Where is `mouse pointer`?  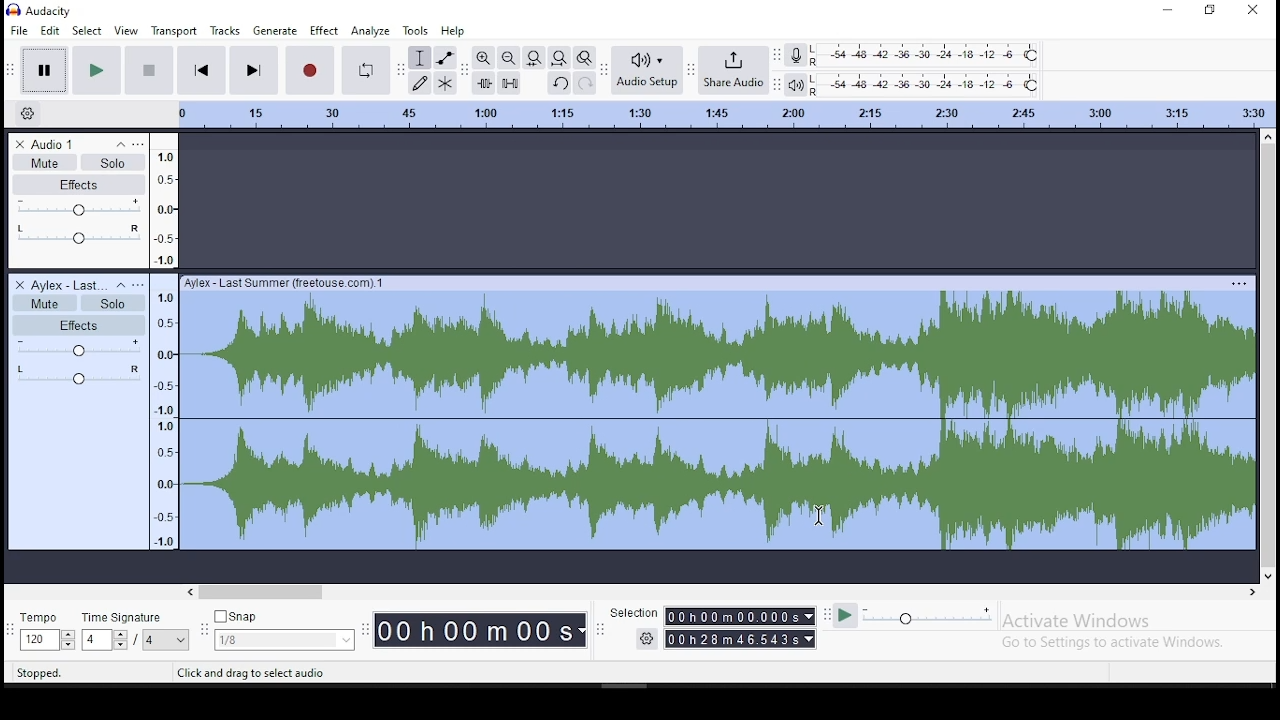
mouse pointer is located at coordinates (816, 514).